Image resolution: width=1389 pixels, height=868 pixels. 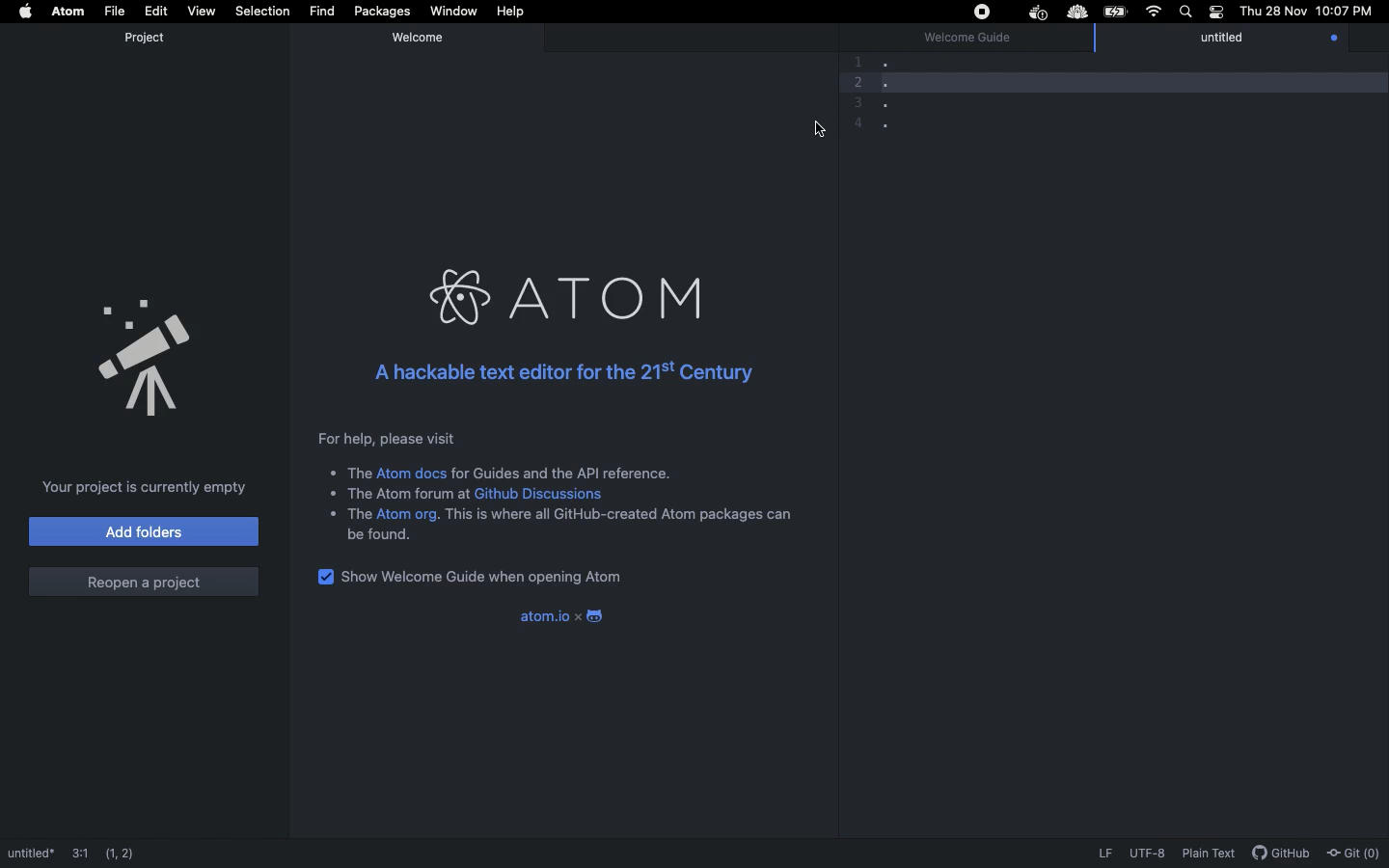 What do you see at coordinates (949, 93) in the screenshot?
I see `code` at bounding box center [949, 93].